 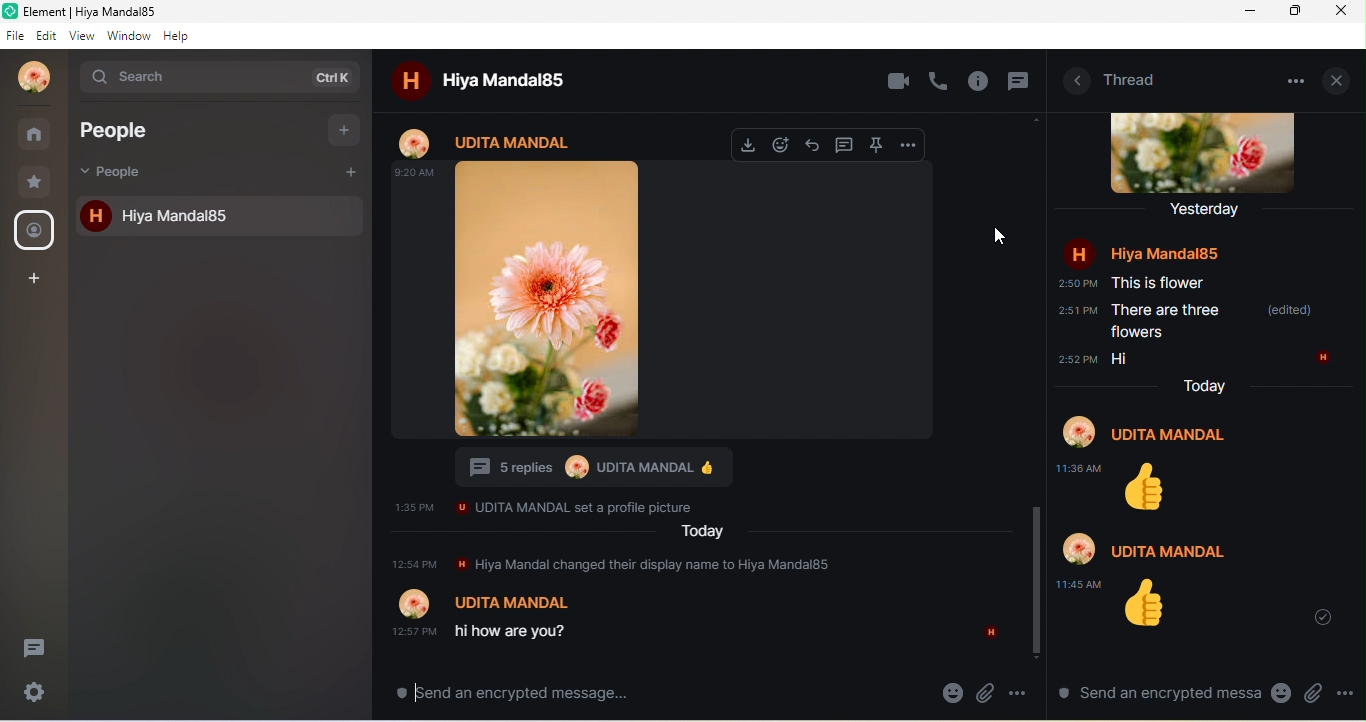 I want to click on H, so click(x=994, y=633).